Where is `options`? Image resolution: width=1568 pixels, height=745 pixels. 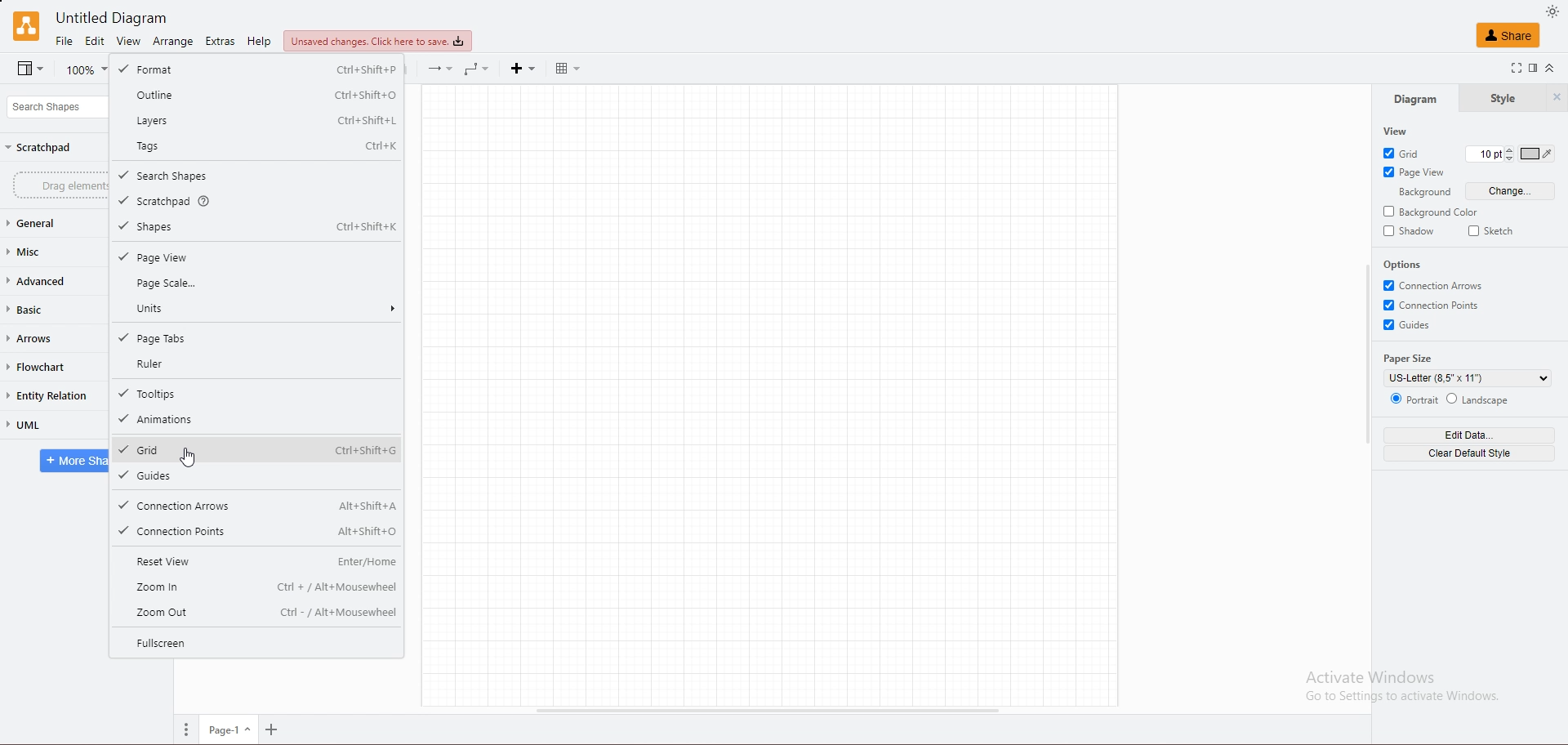 options is located at coordinates (1405, 265).